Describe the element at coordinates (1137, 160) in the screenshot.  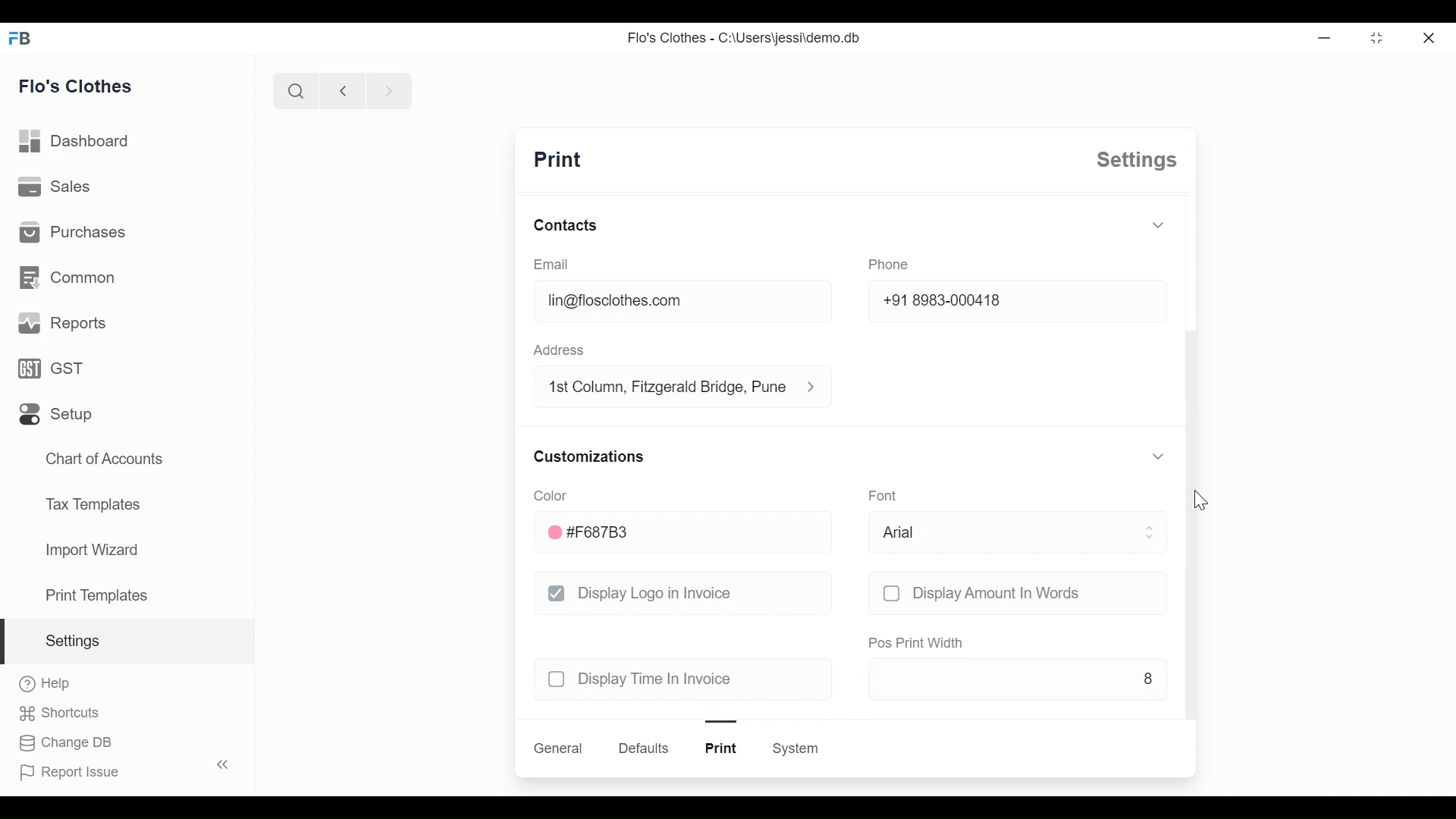
I see `settings` at that location.